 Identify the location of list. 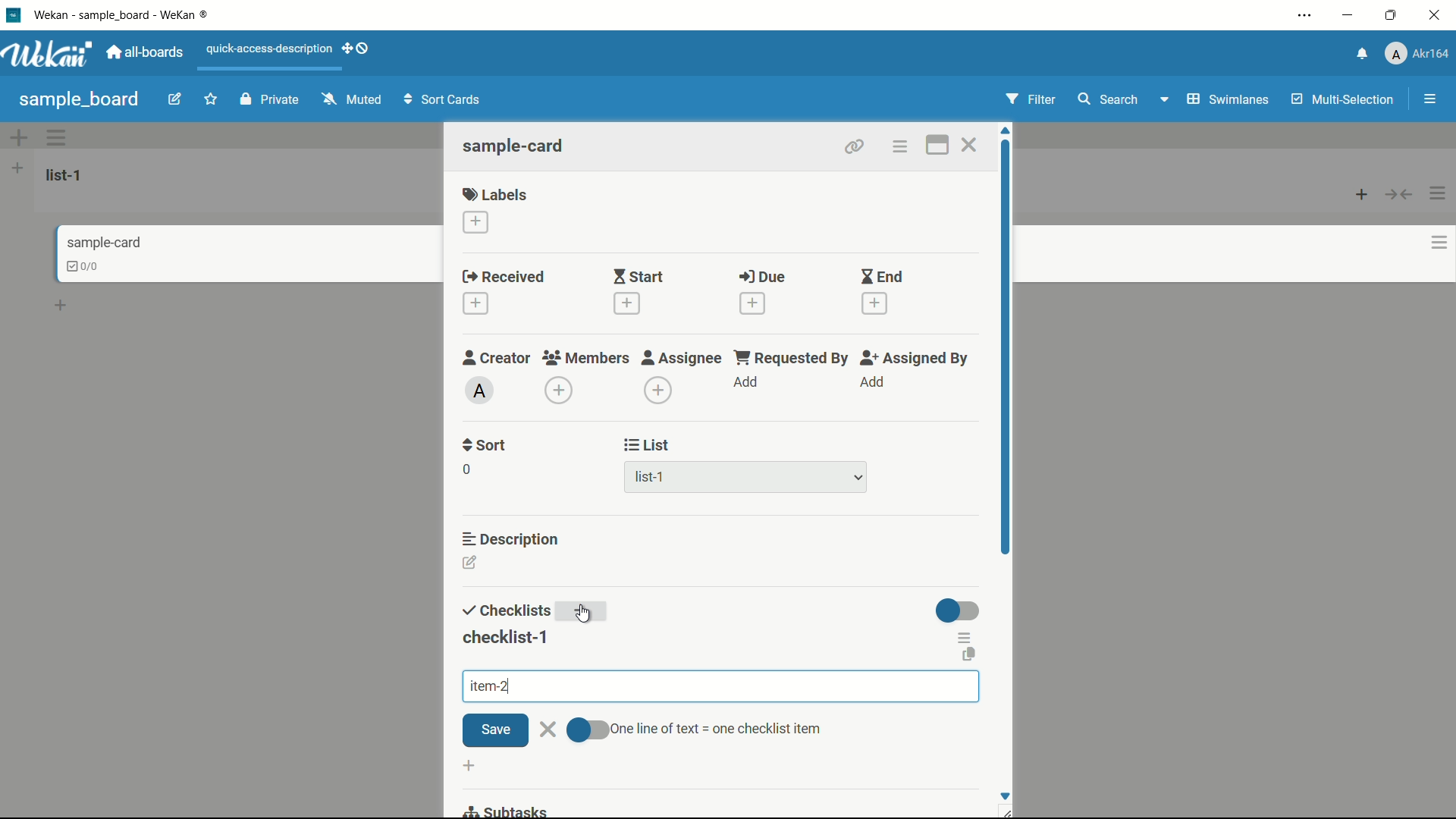
(648, 445).